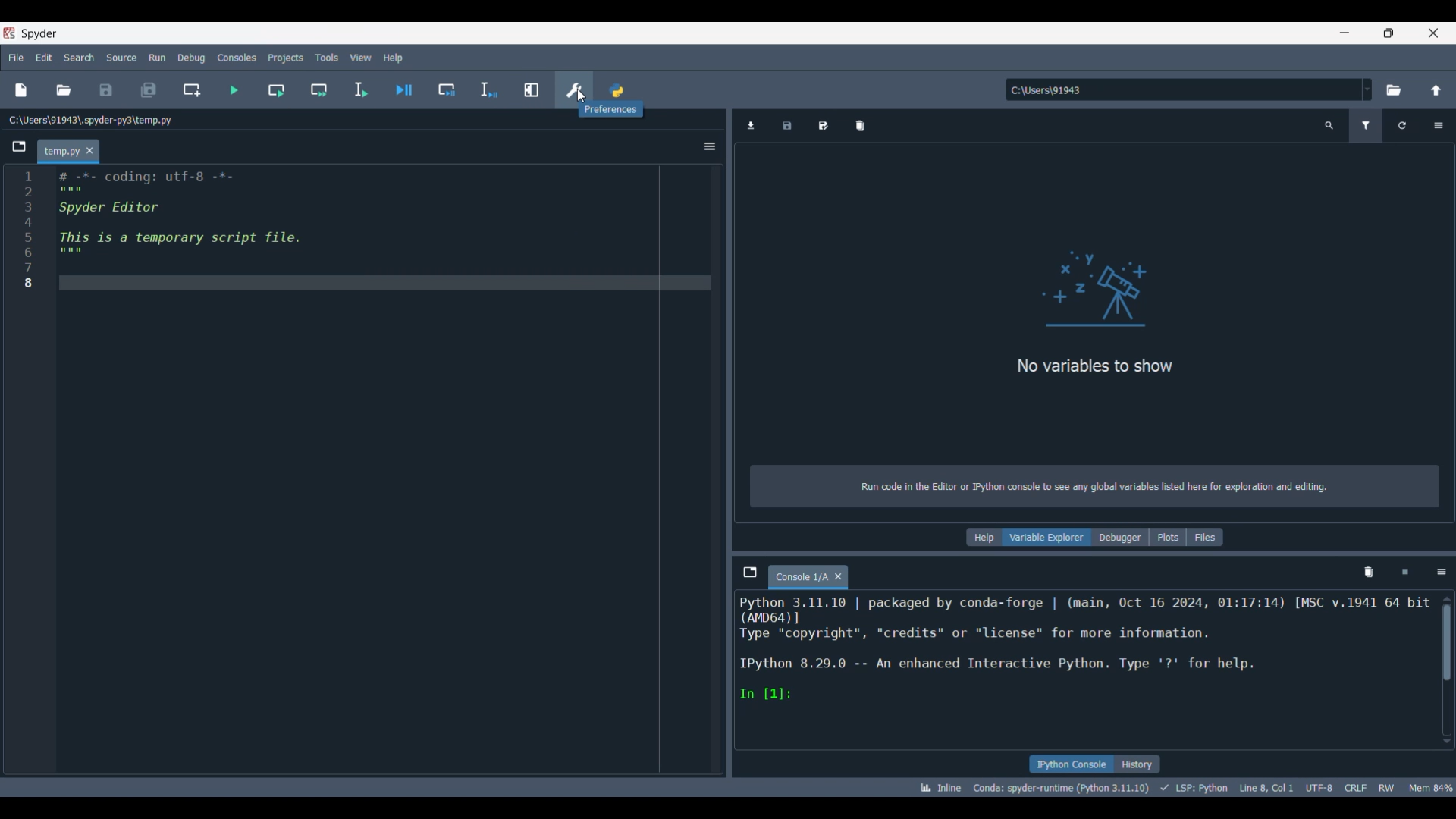  What do you see at coordinates (1389, 33) in the screenshot?
I see `Show in smaller tab` at bounding box center [1389, 33].